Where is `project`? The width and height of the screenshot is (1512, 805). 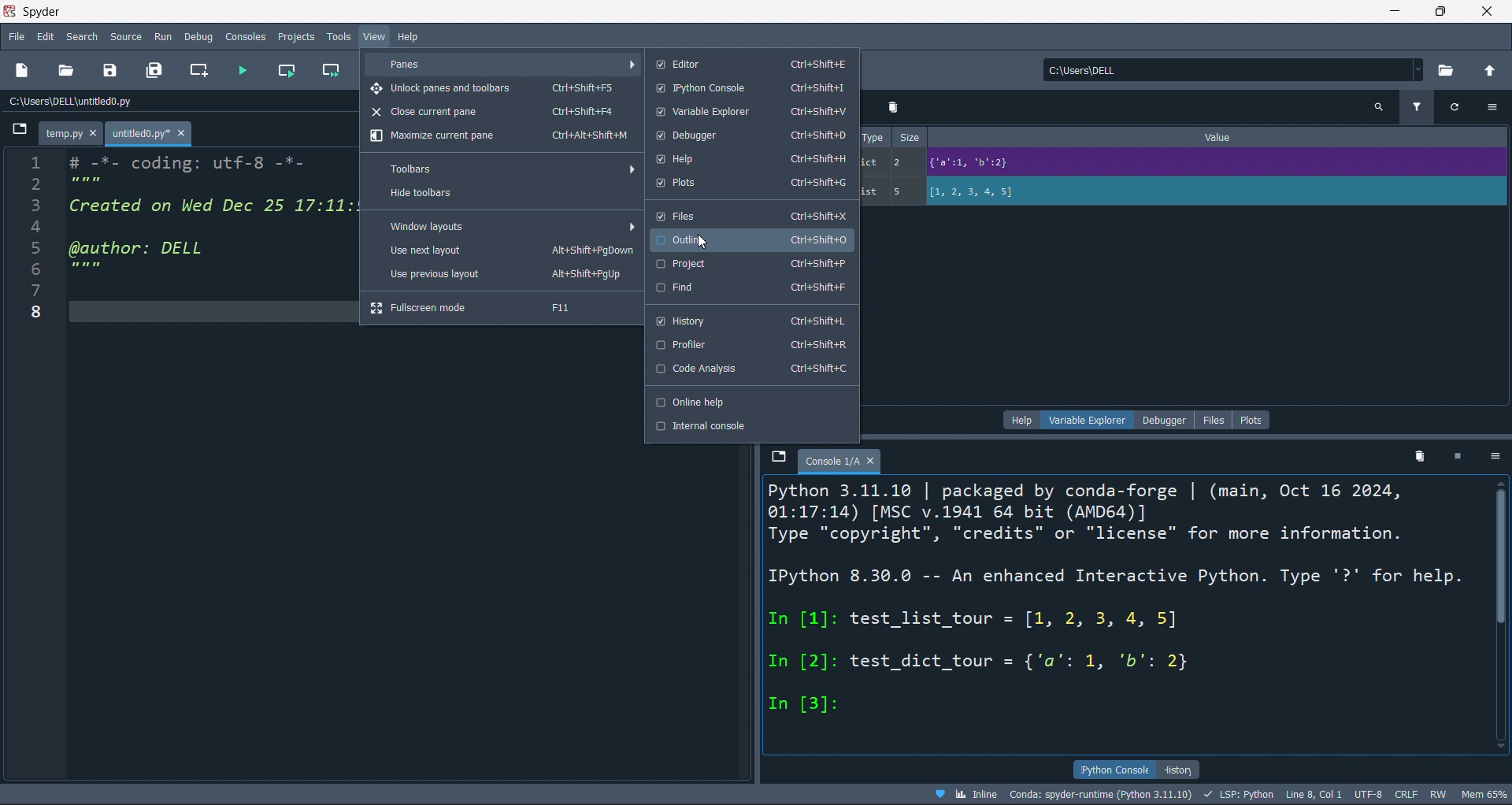 project is located at coordinates (752, 264).